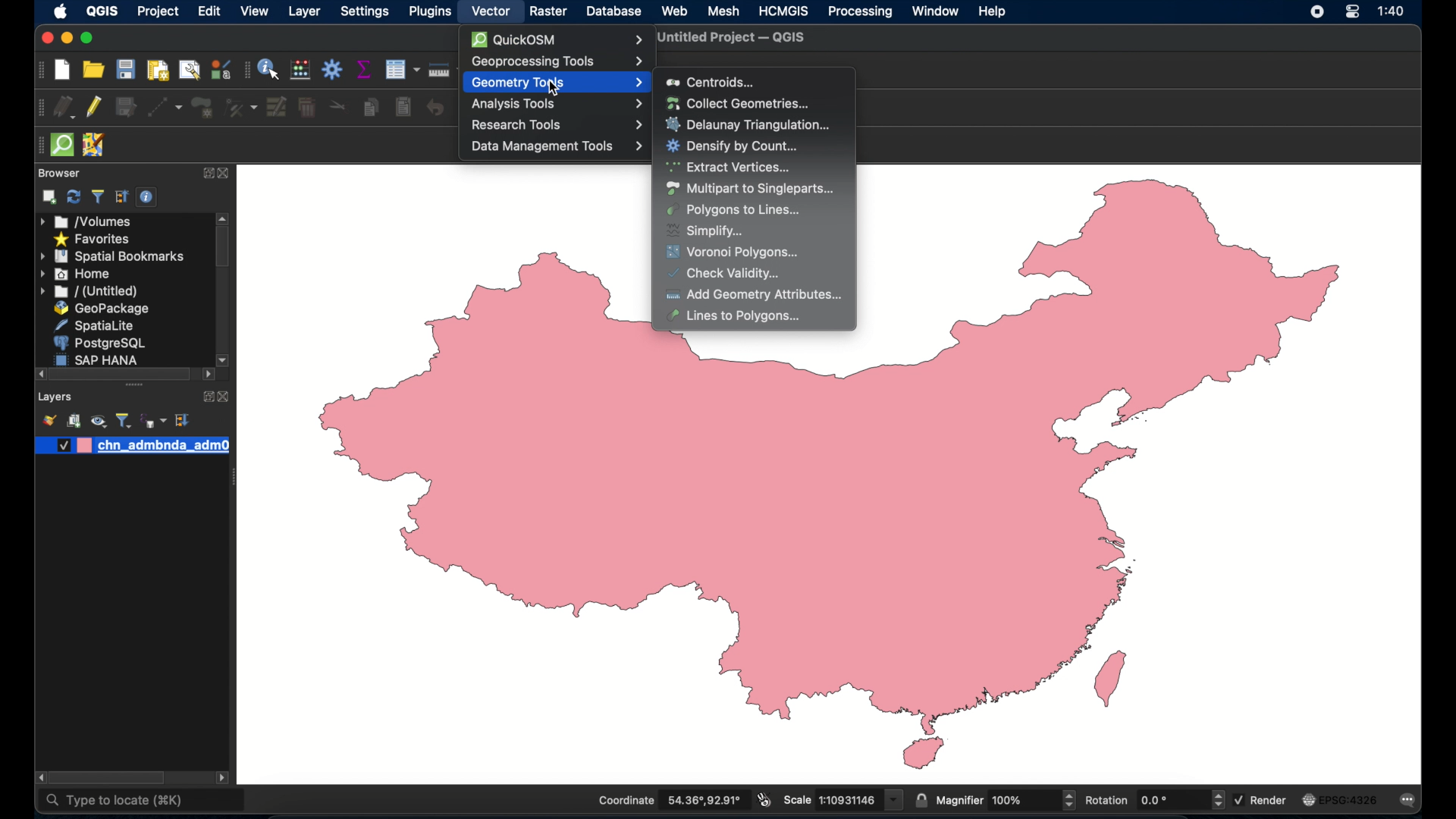  Describe the element at coordinates (435, 108) in the screenshot. I see `undo` at that location.